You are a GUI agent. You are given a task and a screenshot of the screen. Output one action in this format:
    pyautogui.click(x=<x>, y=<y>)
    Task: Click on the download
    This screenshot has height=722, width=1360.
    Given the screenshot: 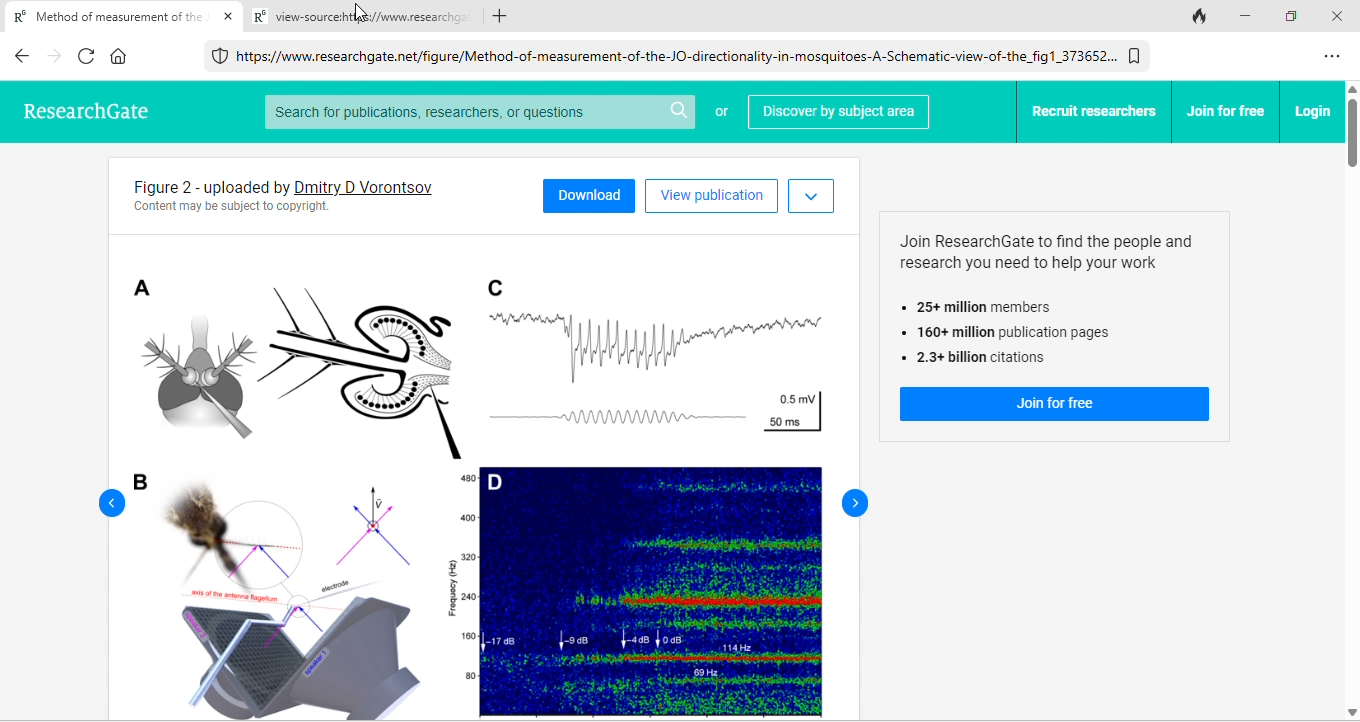 What is the action you would take?
    pyautogui.click(x=590, y=195)
    